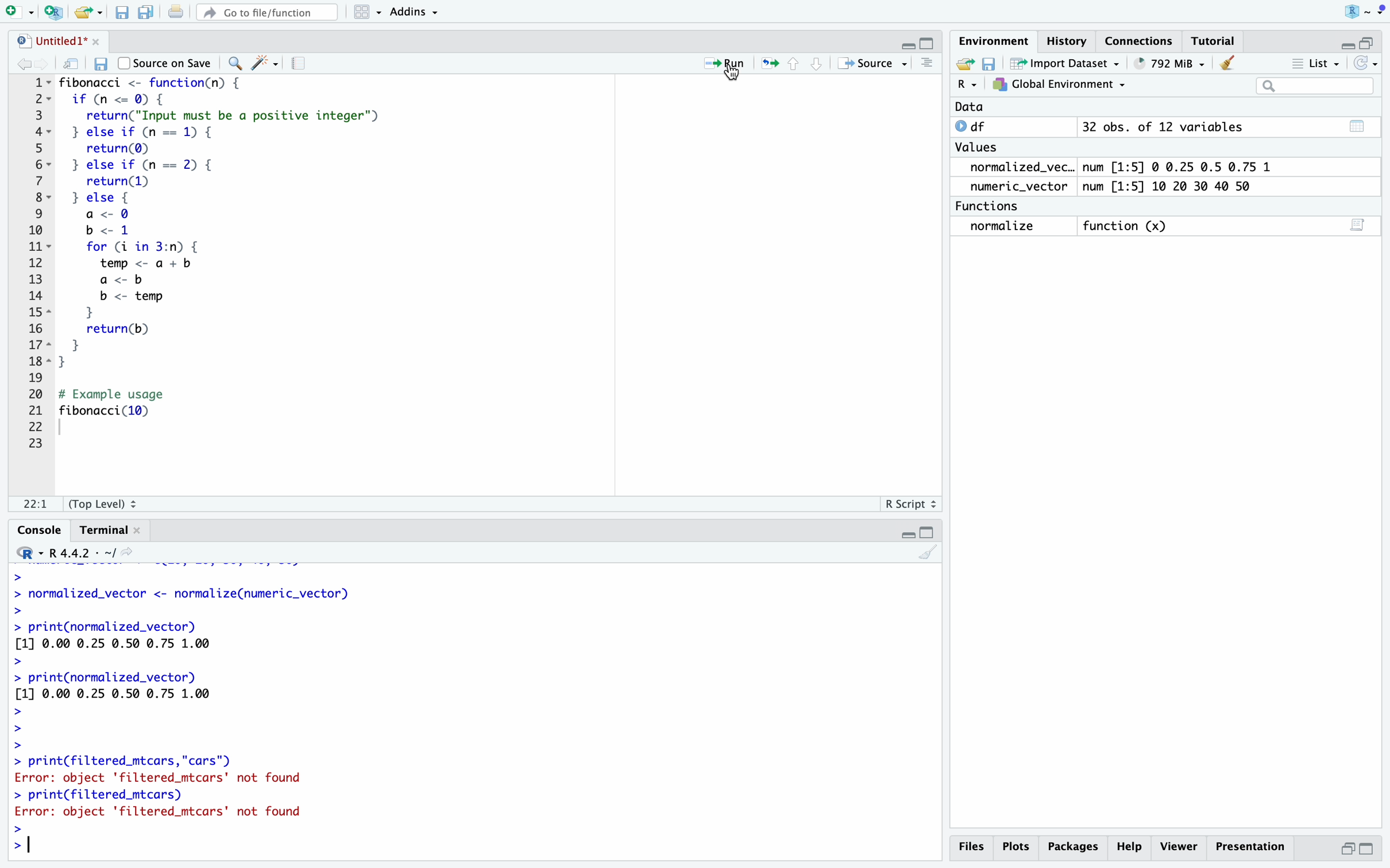 This screenshot has width=1390, height=868. Describe the element at coordinates (1016, 847) in the screenshot. I see `plots` at that location.